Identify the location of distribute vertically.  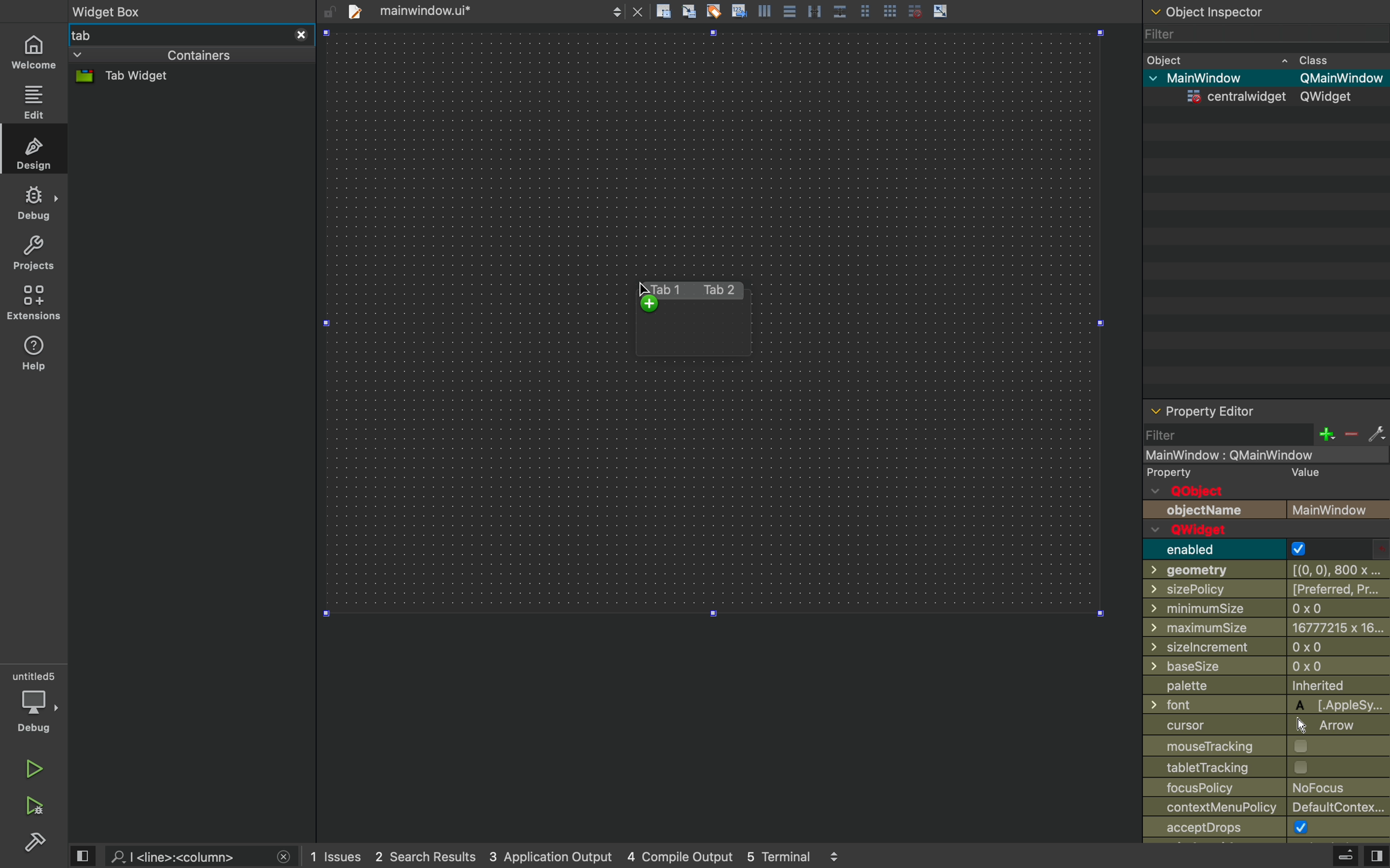
(841, 11).